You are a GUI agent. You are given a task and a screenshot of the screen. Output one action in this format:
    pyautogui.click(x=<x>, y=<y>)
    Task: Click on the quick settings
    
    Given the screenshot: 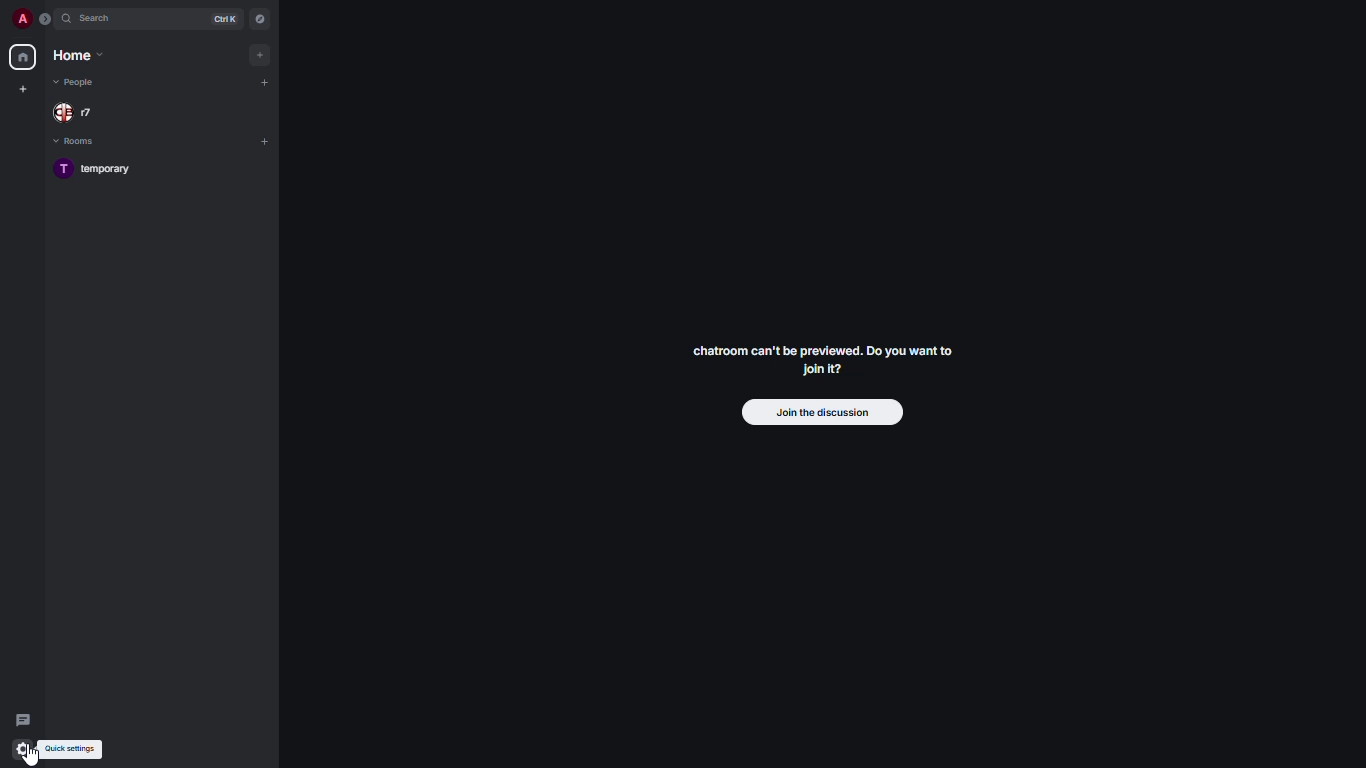 What is the action you would take?
    pyautogui.click(x=22, y=744)
    